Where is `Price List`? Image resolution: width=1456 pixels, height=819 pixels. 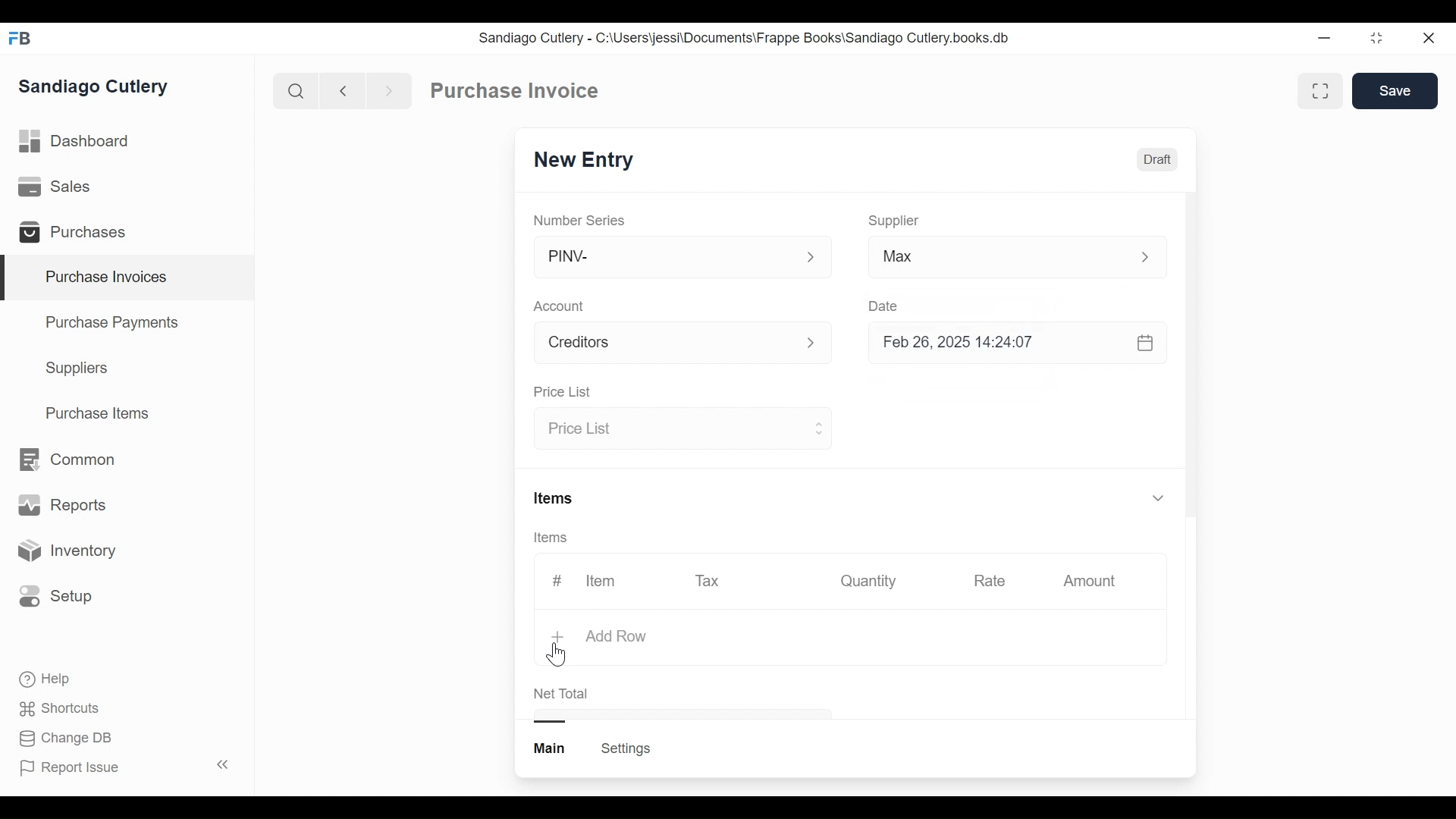
Price List is located at coordinates (669, 430).